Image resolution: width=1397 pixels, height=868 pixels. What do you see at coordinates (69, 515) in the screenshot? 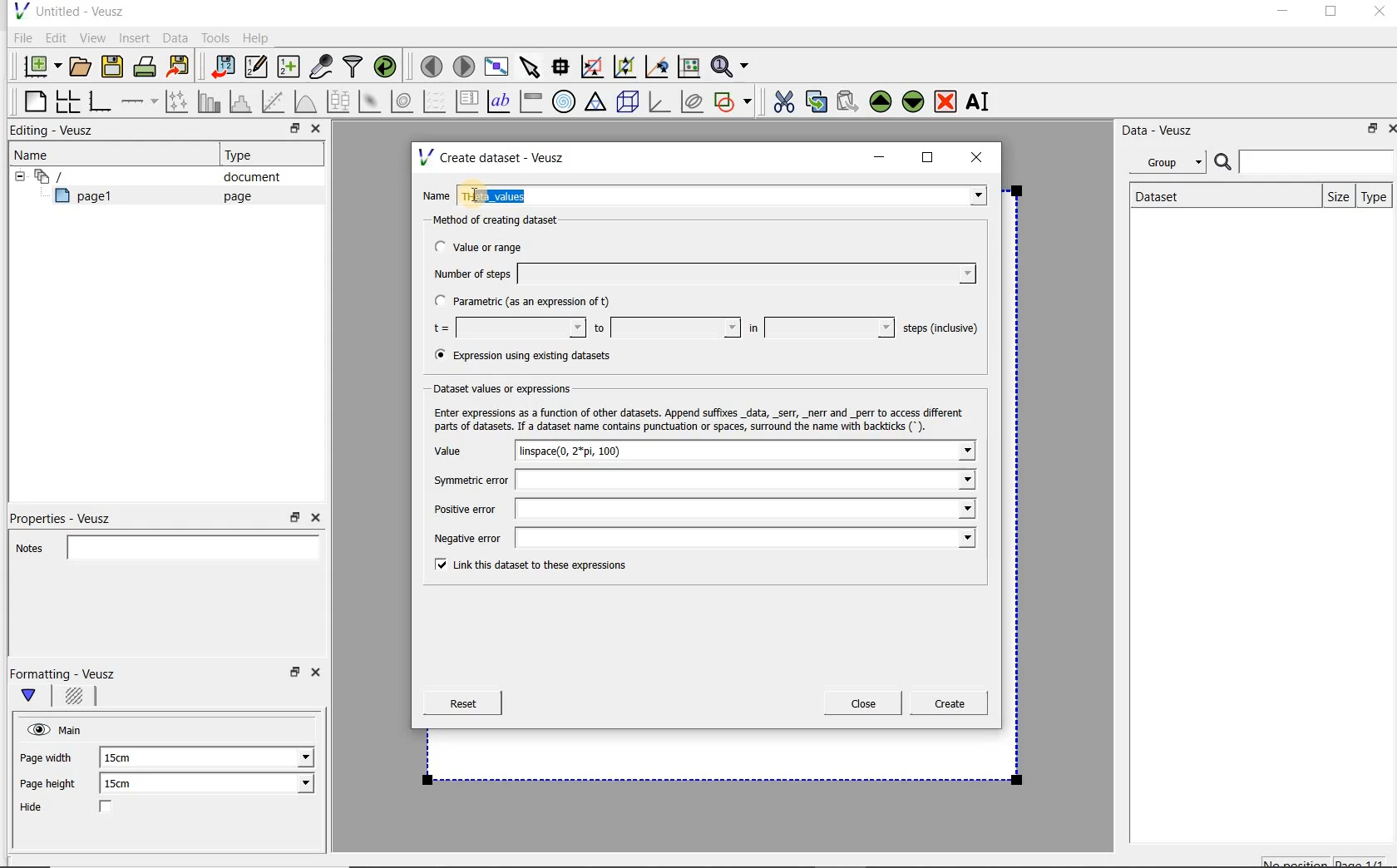
I see `Properties - Veusz` at bounding box center [69, 515].